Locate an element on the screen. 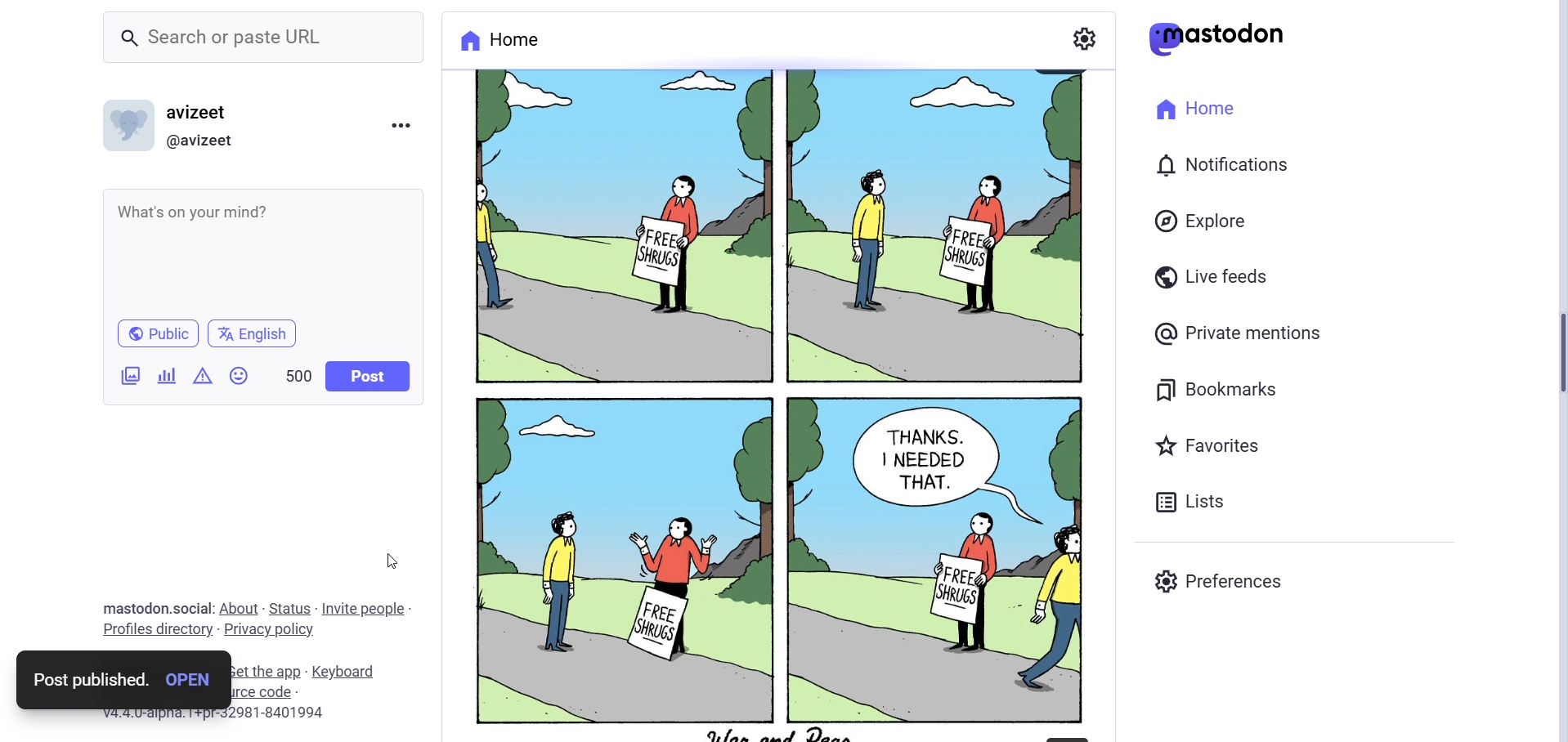  Keyboard is located at coordinates (343, 673).